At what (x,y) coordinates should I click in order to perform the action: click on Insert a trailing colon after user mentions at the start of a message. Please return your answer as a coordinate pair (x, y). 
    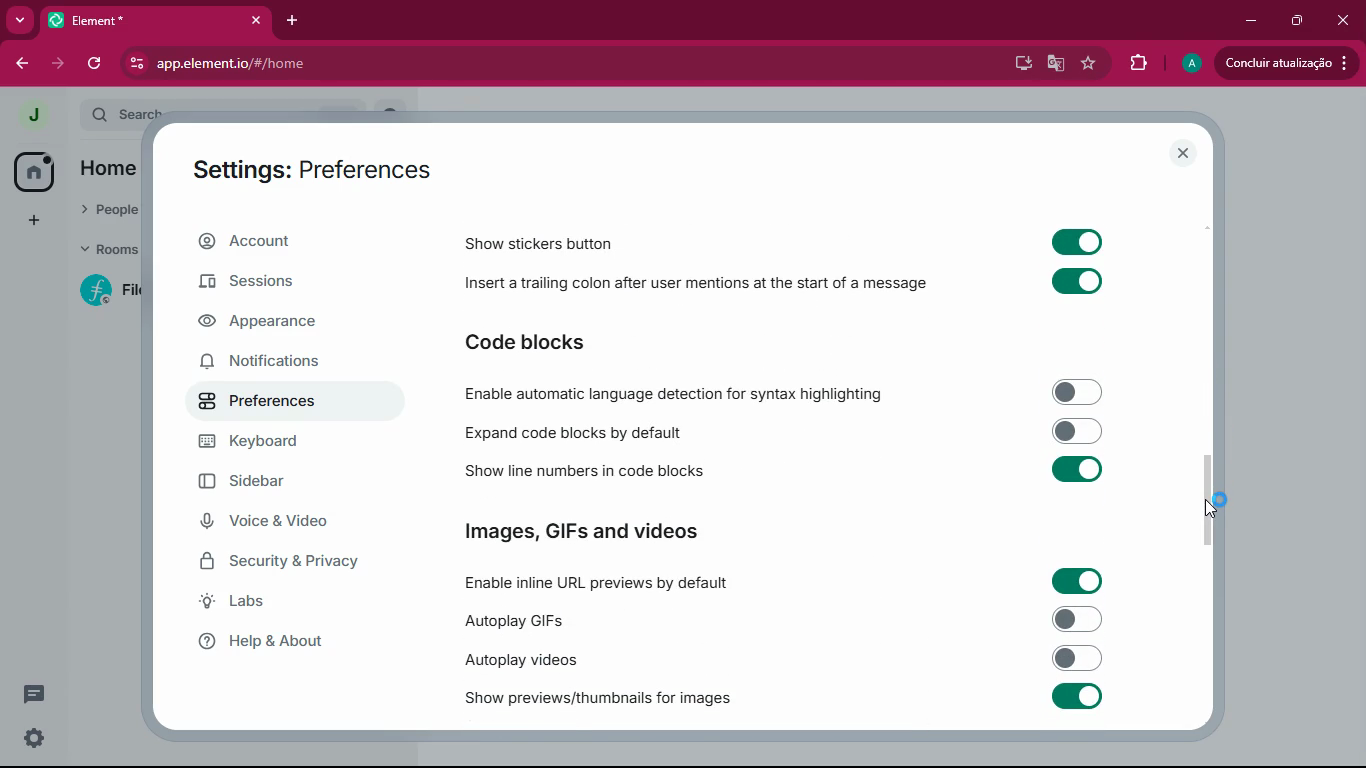
    Looking at the image, I should click on (697, 285).